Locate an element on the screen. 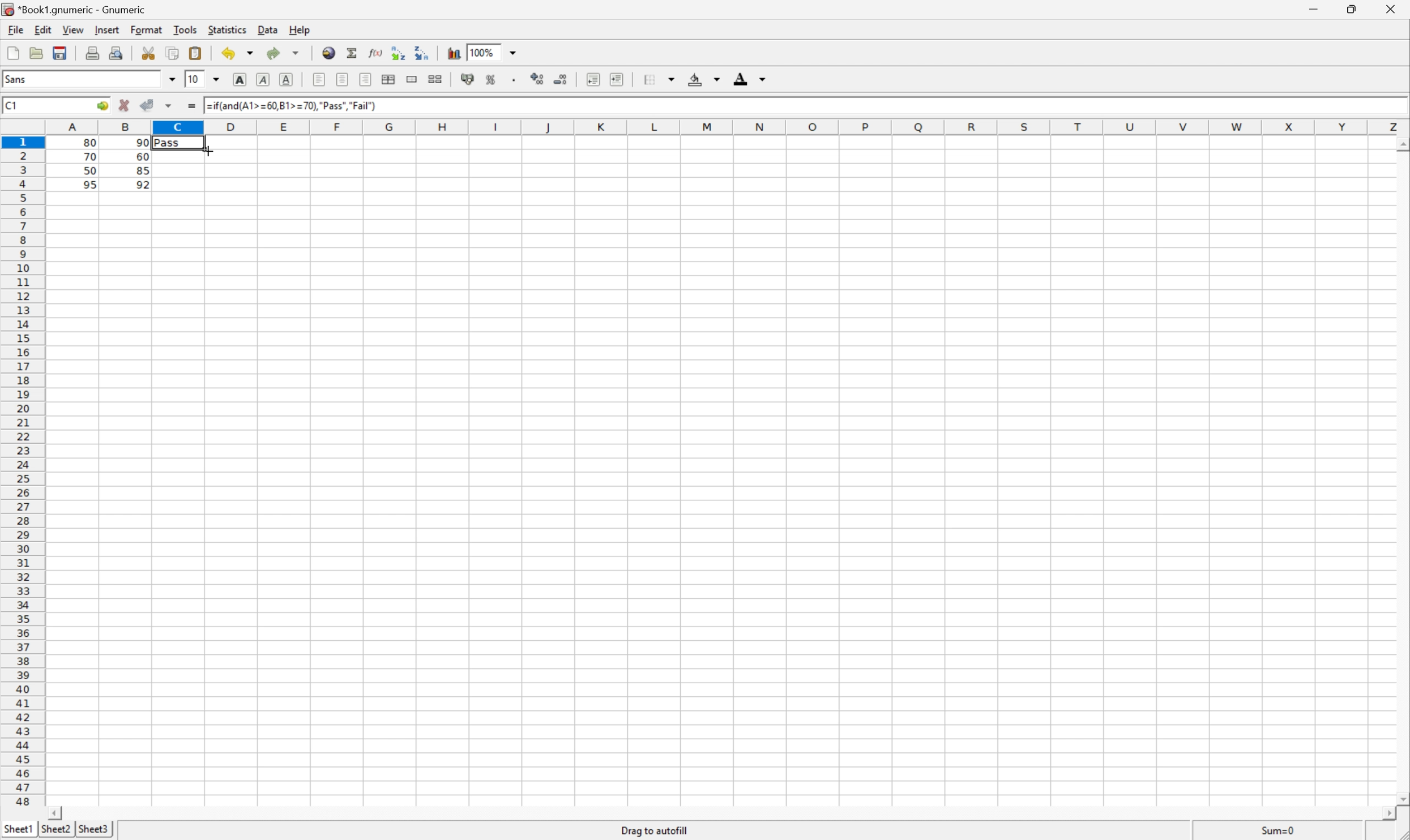  Scroll Right is located at coordinates (1385, 813).